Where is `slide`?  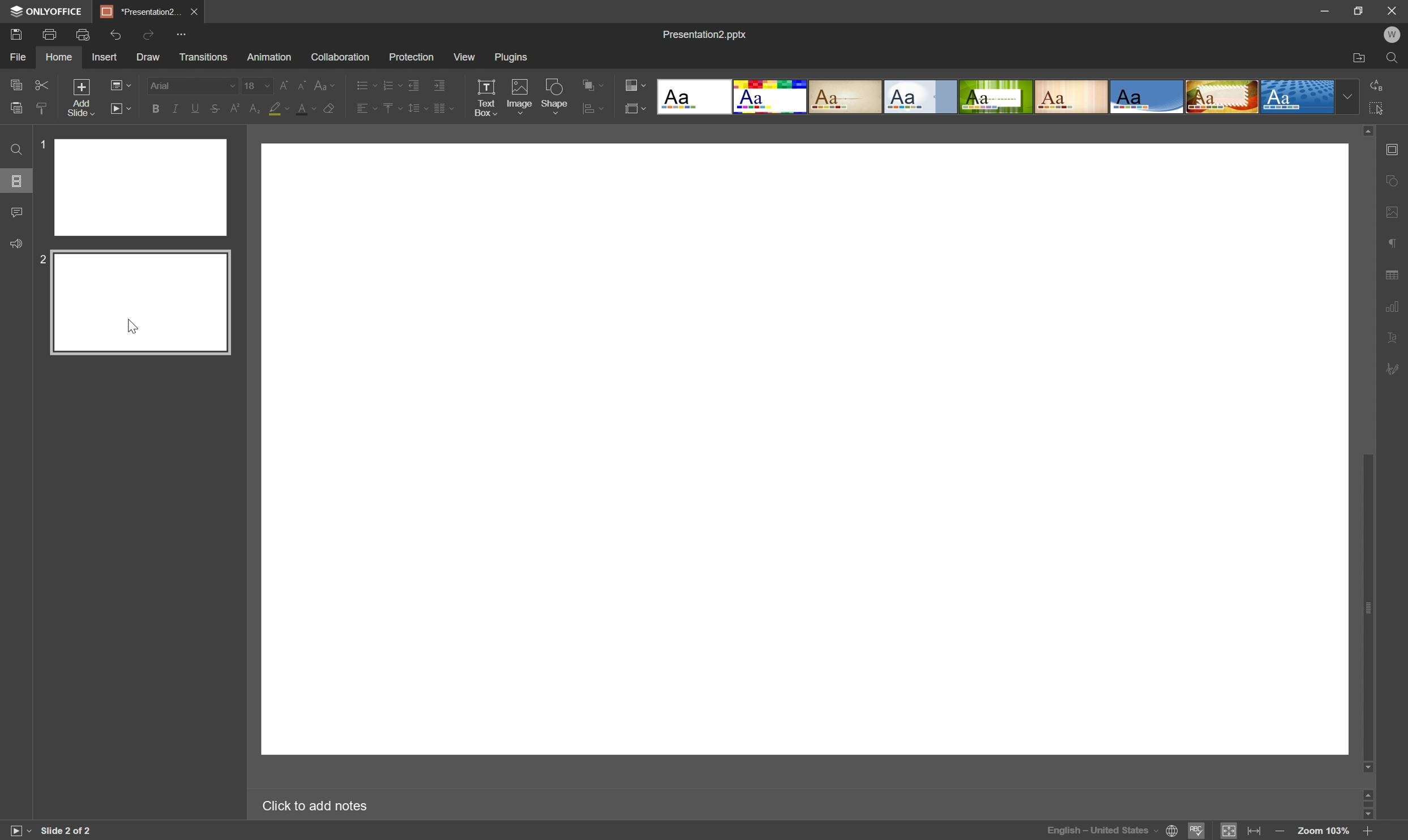
slide is located at coordinates (141, 191).